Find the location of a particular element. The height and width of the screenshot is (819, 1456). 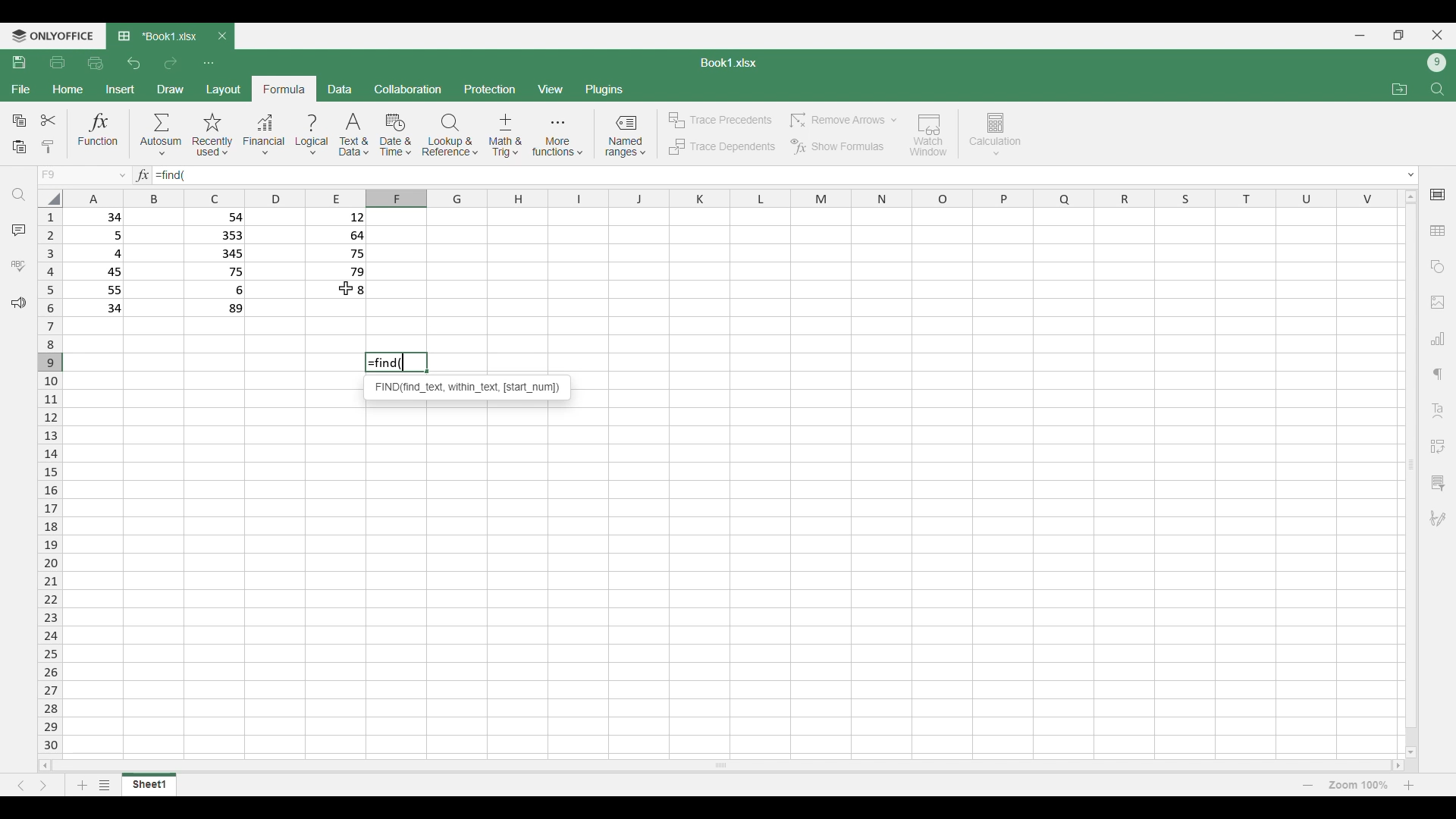

Watch window is located at coordinates (929, 135).